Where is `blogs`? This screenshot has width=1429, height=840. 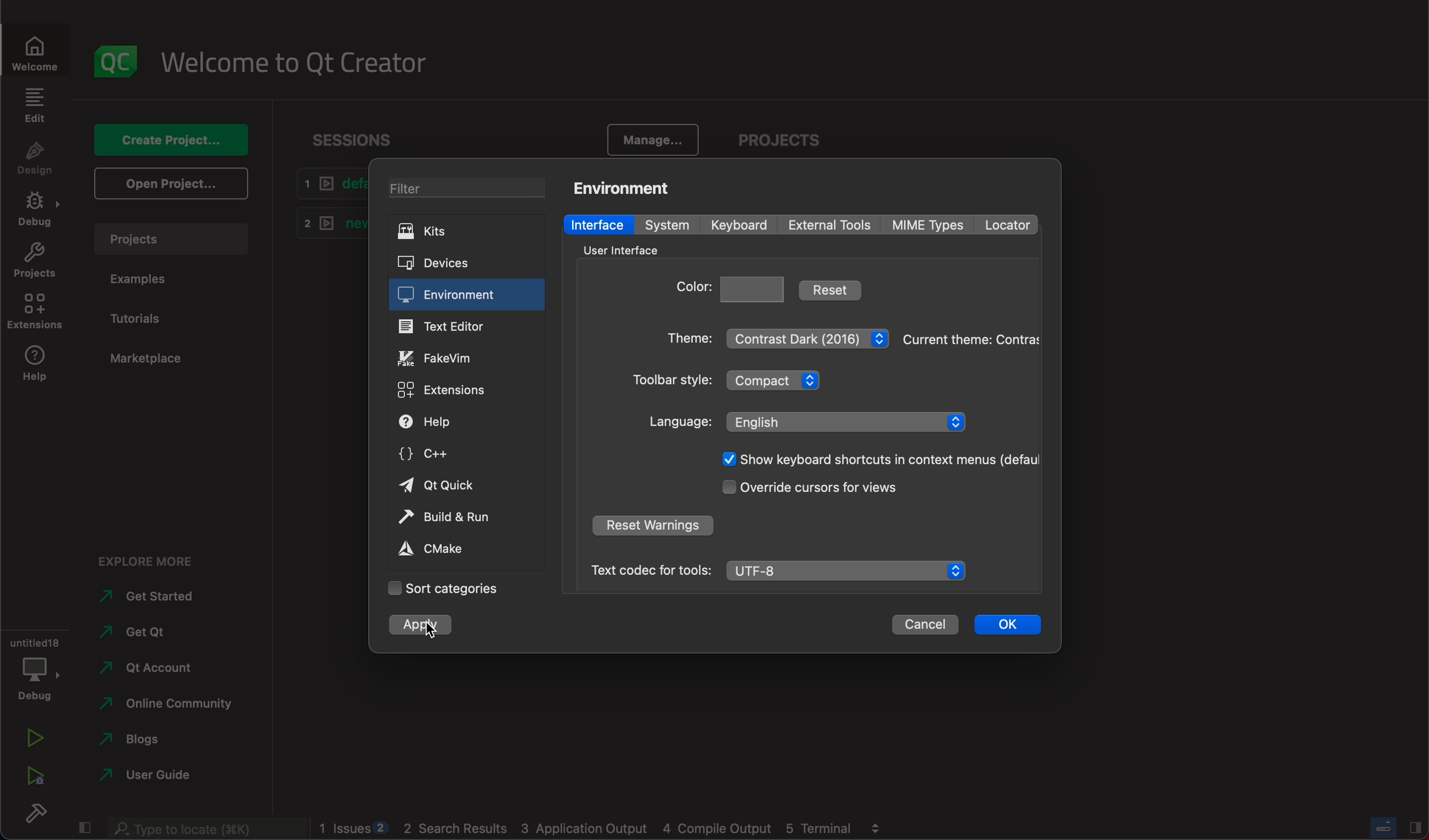
blogs is located at coordinates (160, 741).